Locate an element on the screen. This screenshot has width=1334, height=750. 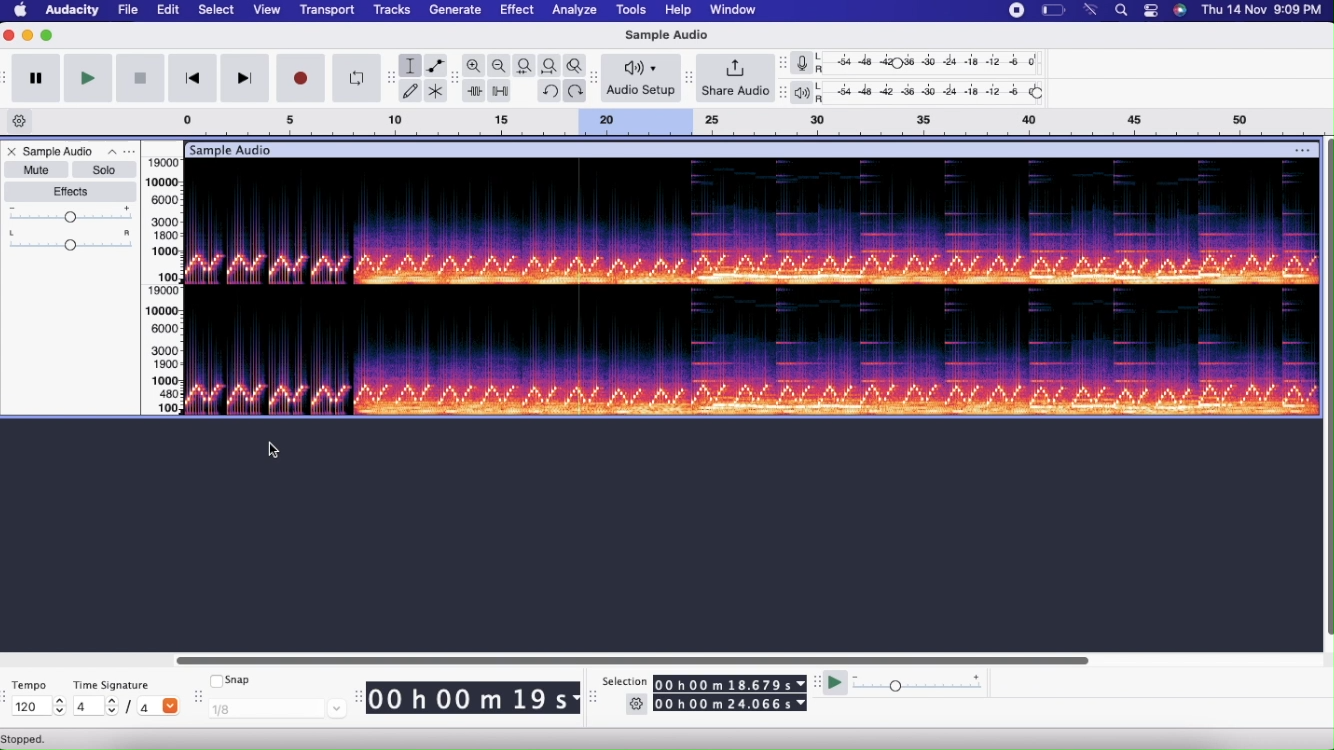
Close is located at coordinates (11, 36).